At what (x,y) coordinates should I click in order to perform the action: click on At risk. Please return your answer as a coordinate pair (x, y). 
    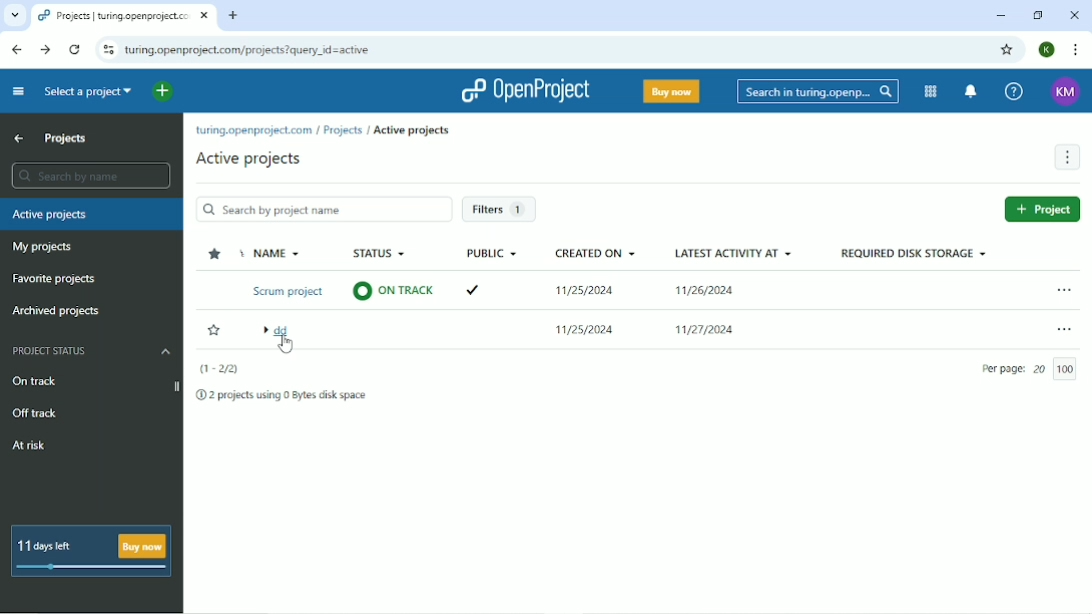
    Looking at the image, I should click on (31, 446).